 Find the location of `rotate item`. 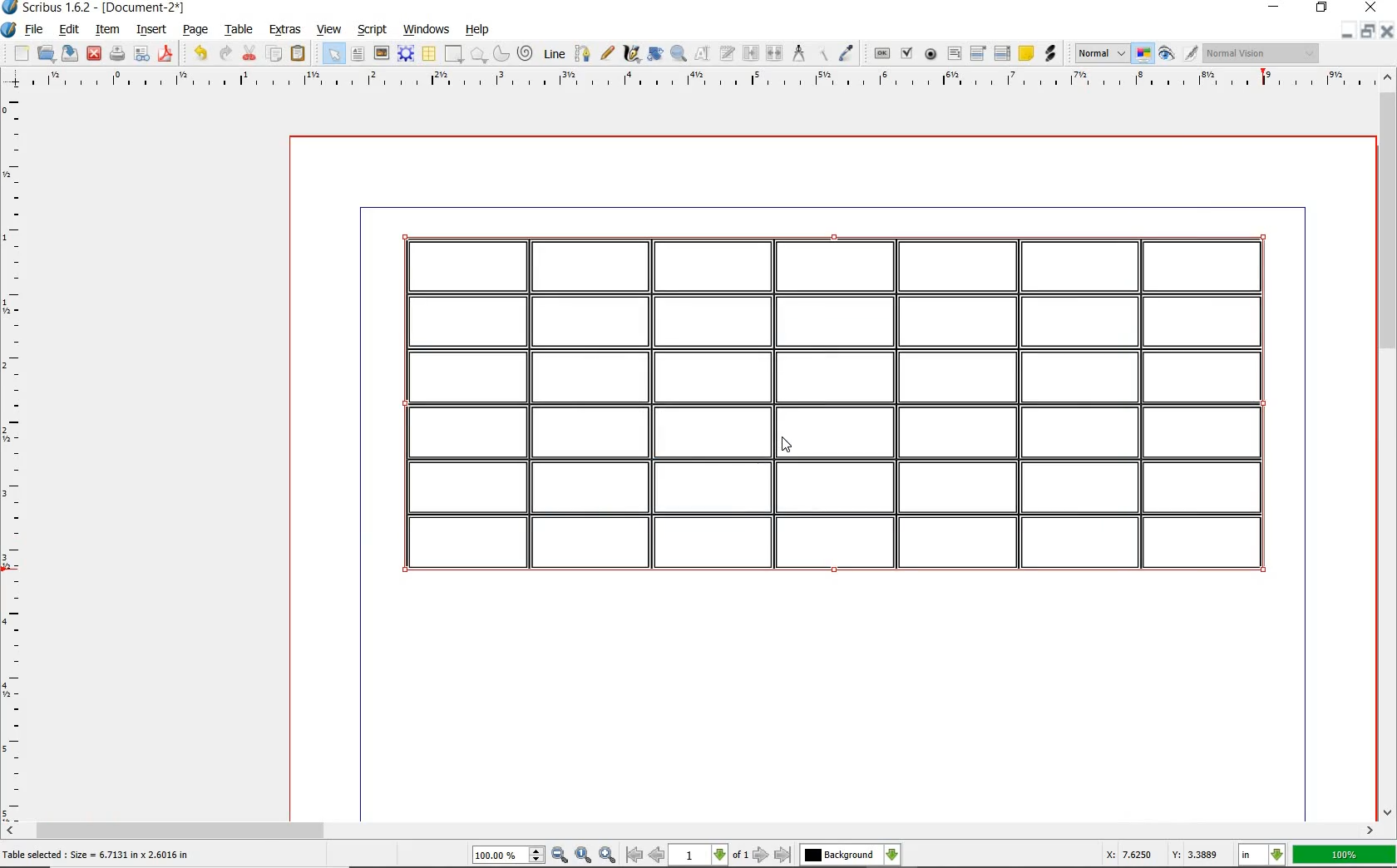

rotate item is located at coordinates (654, 55).